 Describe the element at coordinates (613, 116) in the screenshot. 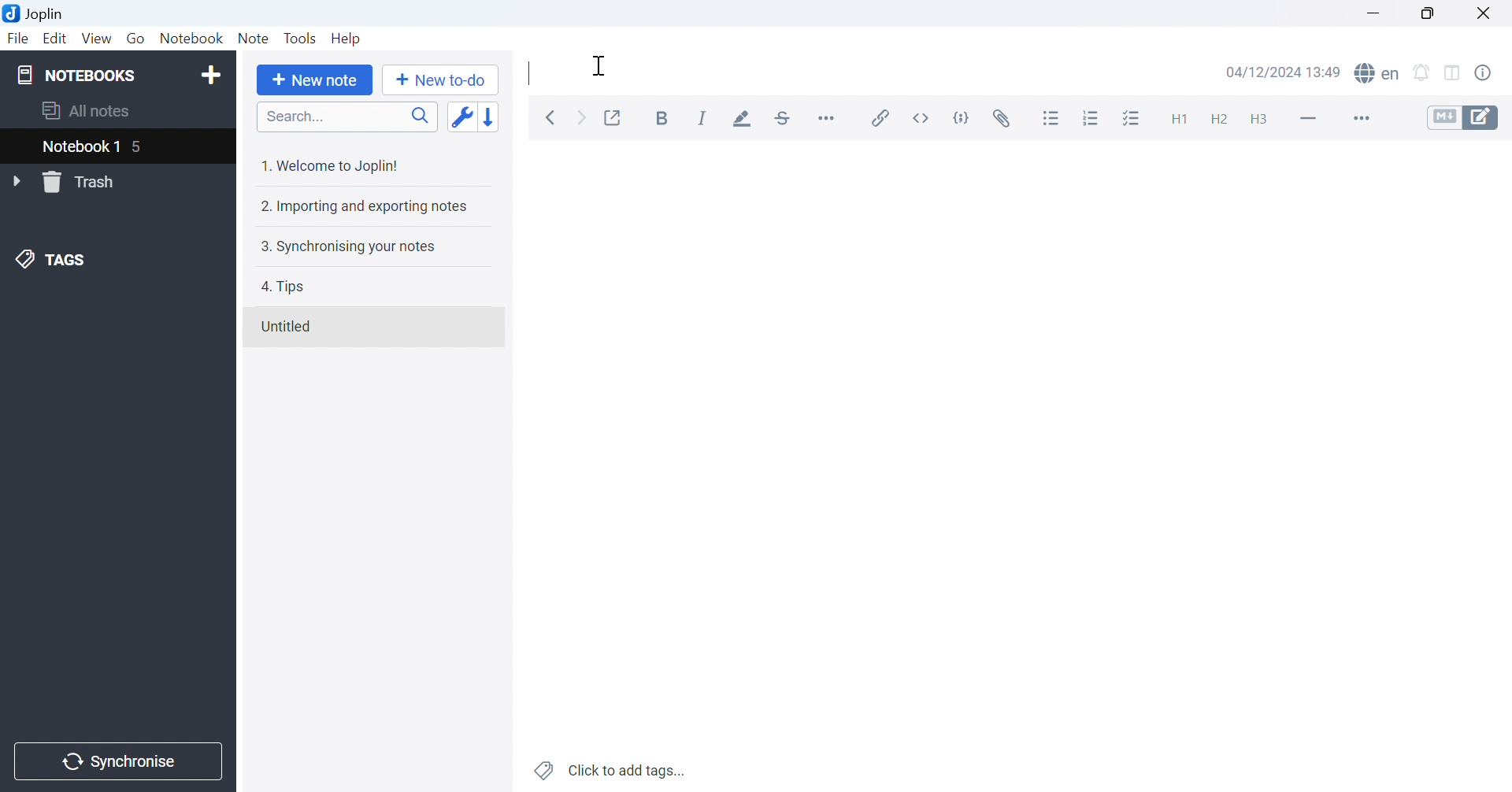

I see `Toggle external editing` at that location.